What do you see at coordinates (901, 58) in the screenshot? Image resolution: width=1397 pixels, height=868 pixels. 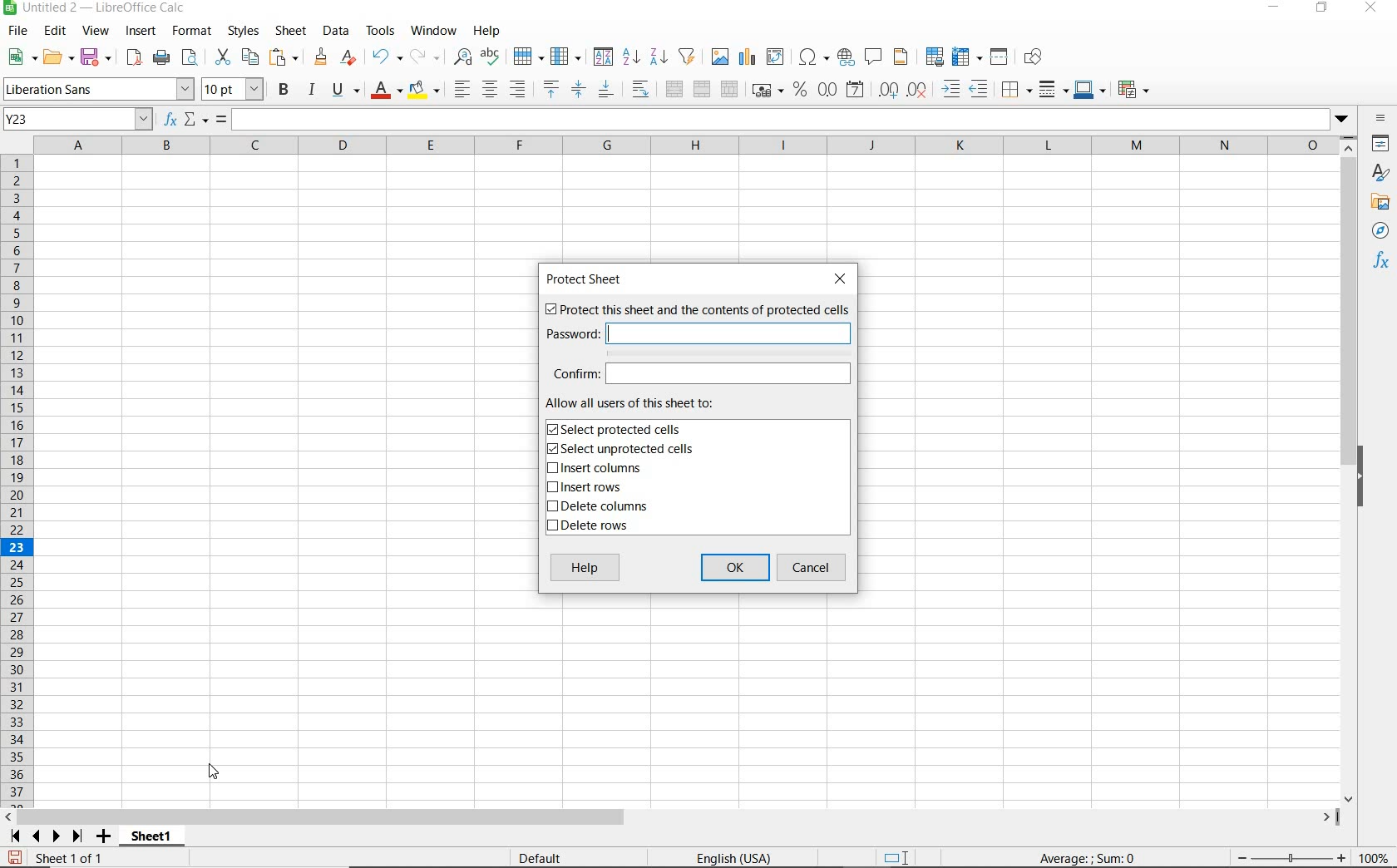 I see `HEADERS AND FOOTERS` at bounding box center [901, 58].